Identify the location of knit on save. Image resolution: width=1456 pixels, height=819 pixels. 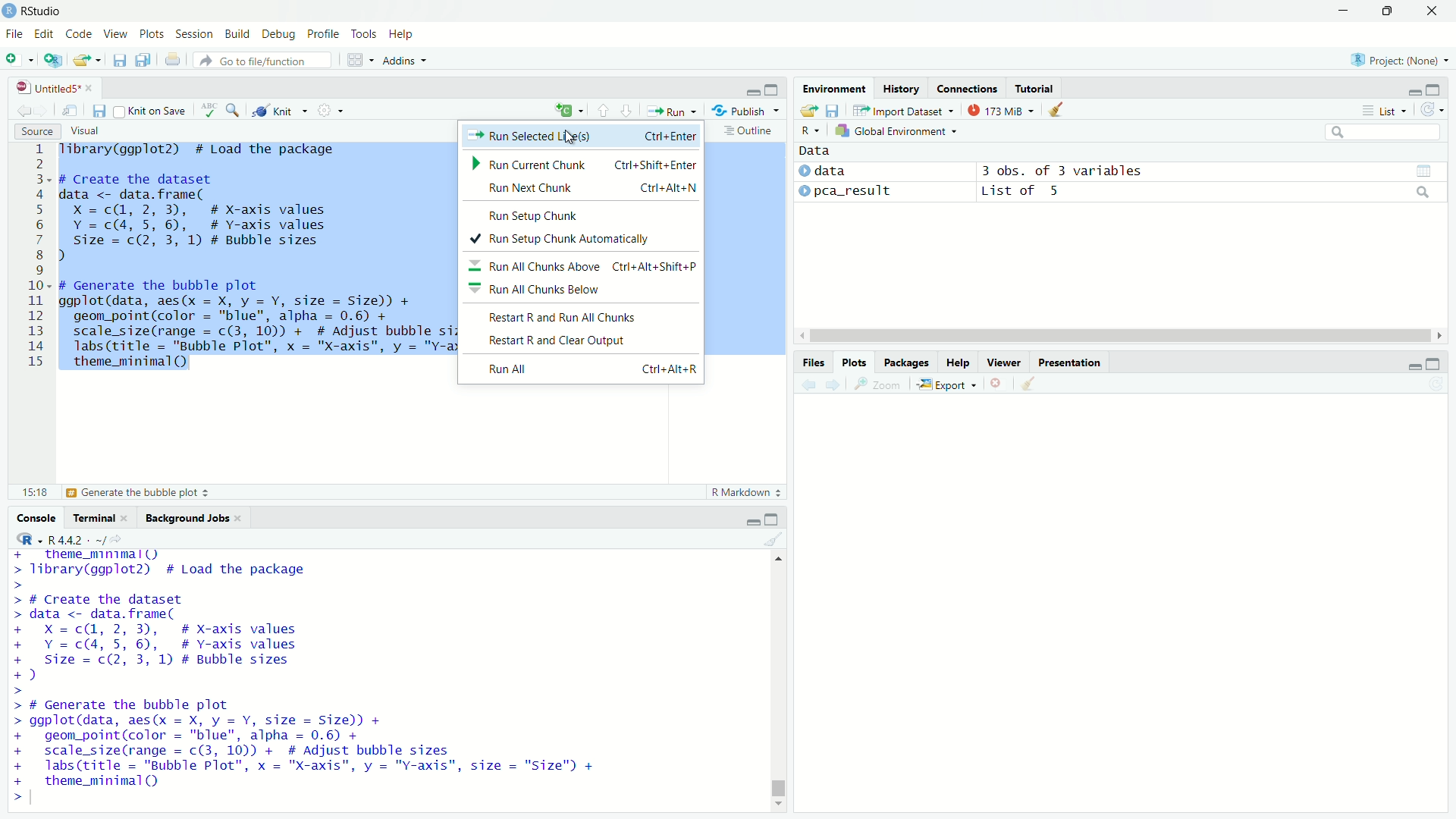
(152, 110).